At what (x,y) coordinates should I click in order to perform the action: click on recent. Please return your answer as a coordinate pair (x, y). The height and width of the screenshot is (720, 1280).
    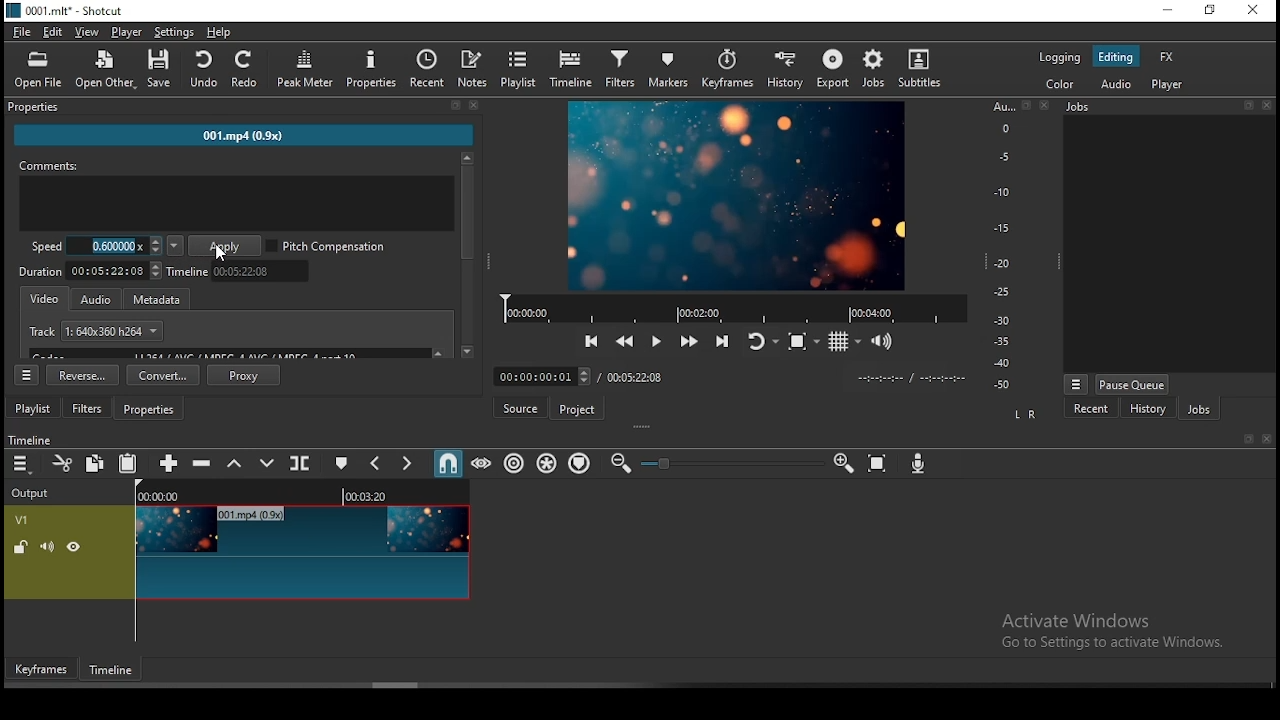
    Looking at the image, I should click on (425, 69).